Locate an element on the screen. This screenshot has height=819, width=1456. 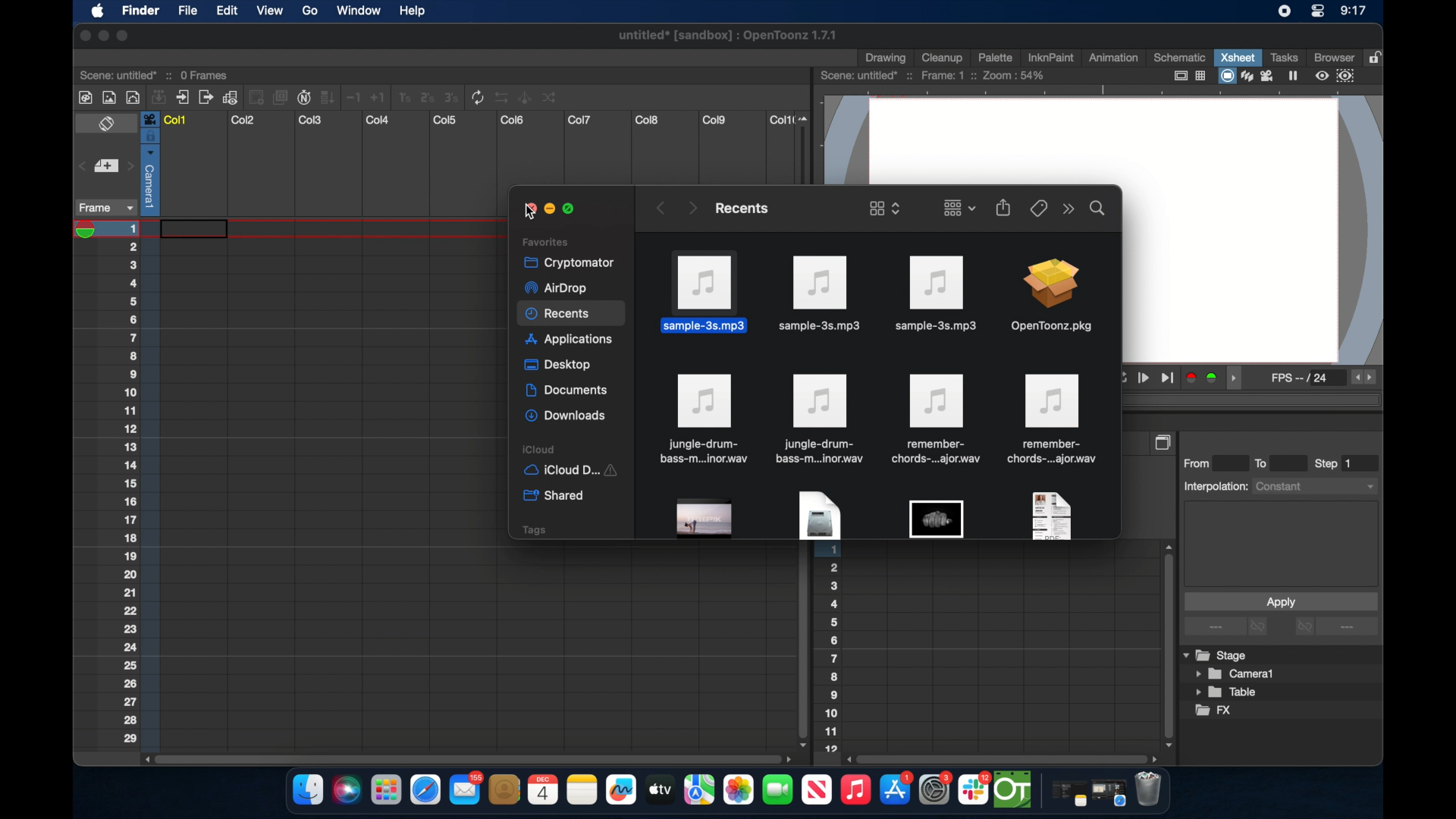
file is located at coordinates (187, 12).